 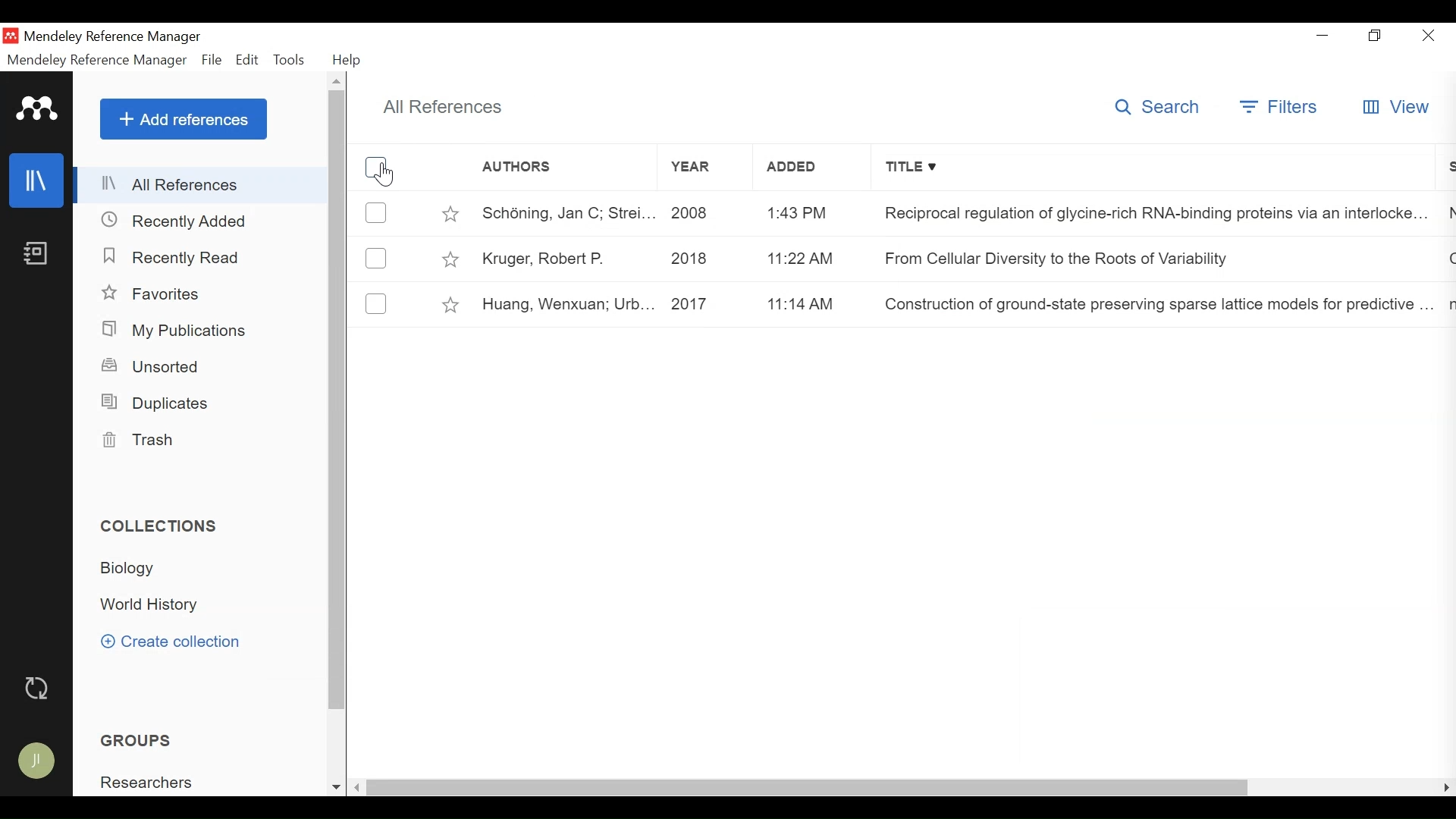 I want to click on Collection, so click(x=154, y=606).